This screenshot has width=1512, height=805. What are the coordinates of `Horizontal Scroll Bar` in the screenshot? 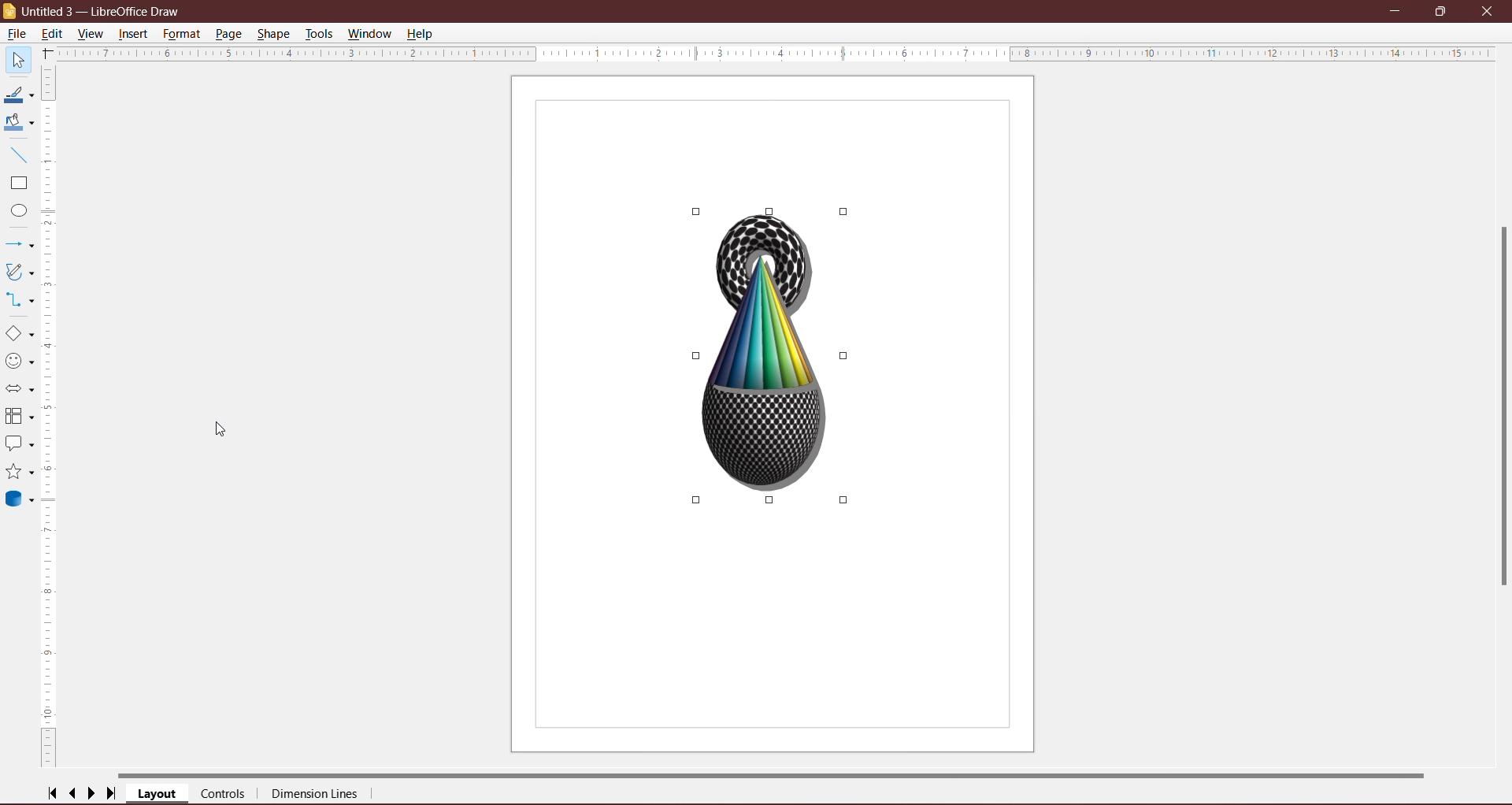 It's located at (776, 774).